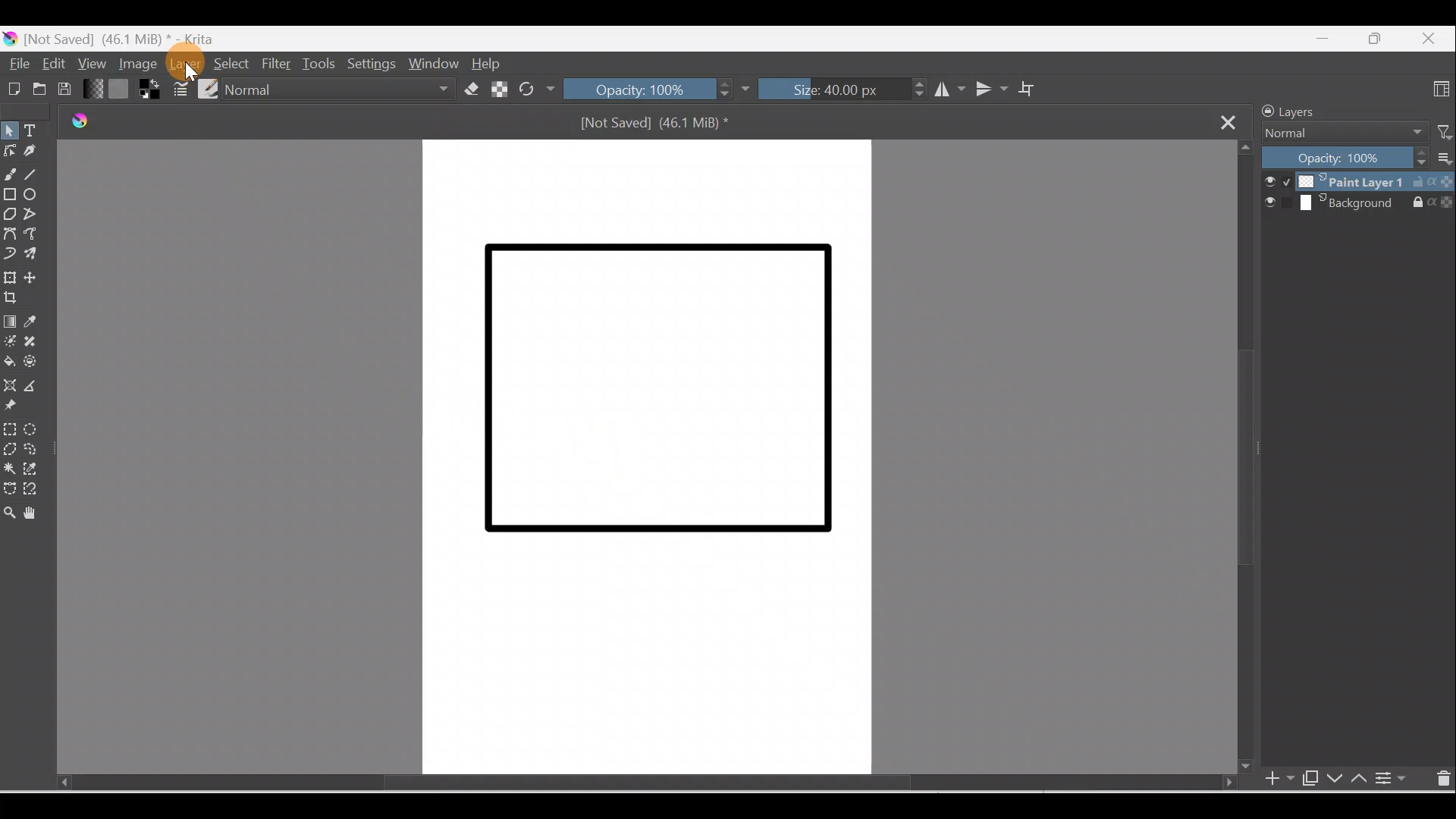 Image resolution: width=1456 pixels, height=819 pixels. I want to click on Normal Blending mode, so click(1337, 133).